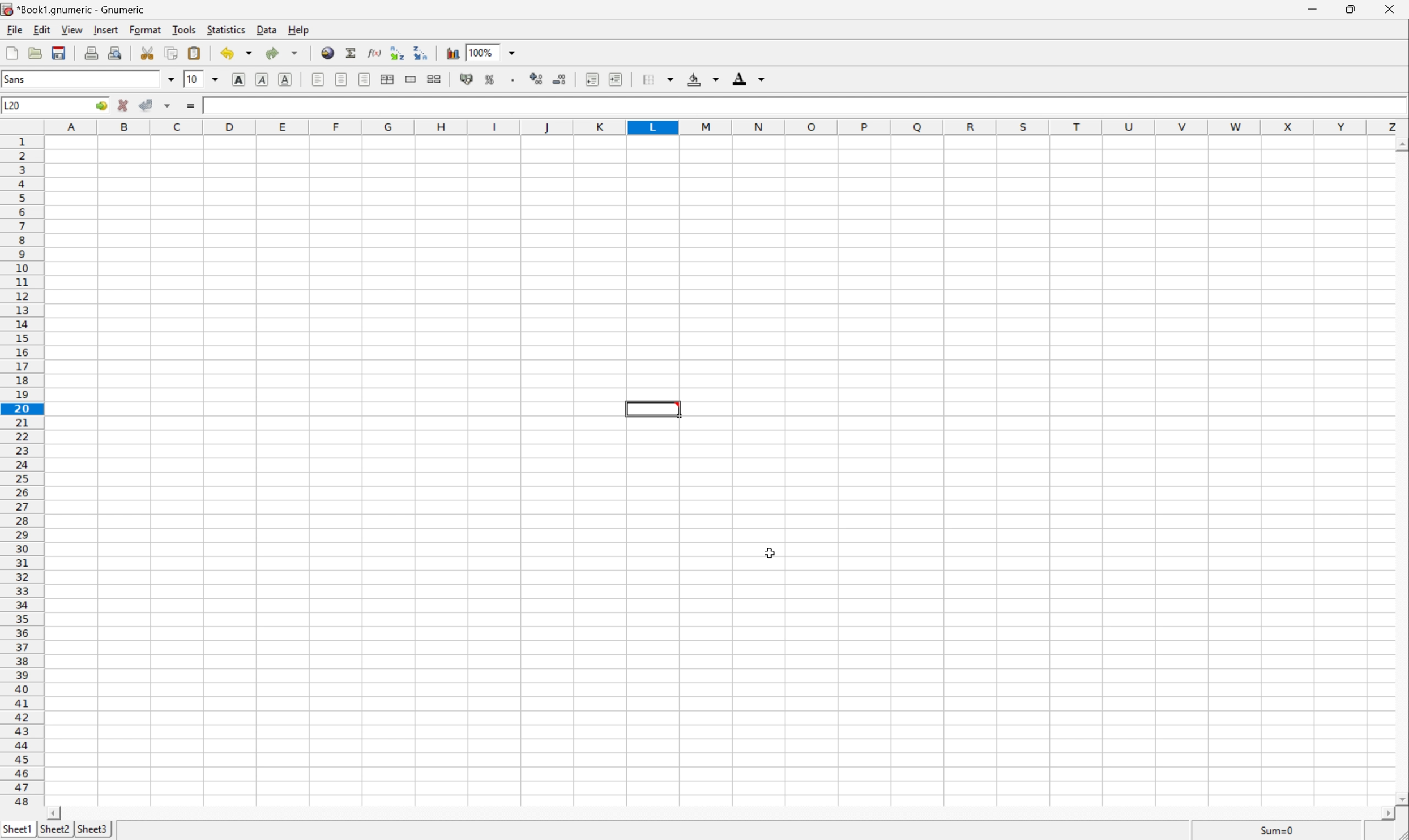  What do you see at coordinates (284, 53) in the screenshot?
I see `Redo` at bounding box center [284, 53].